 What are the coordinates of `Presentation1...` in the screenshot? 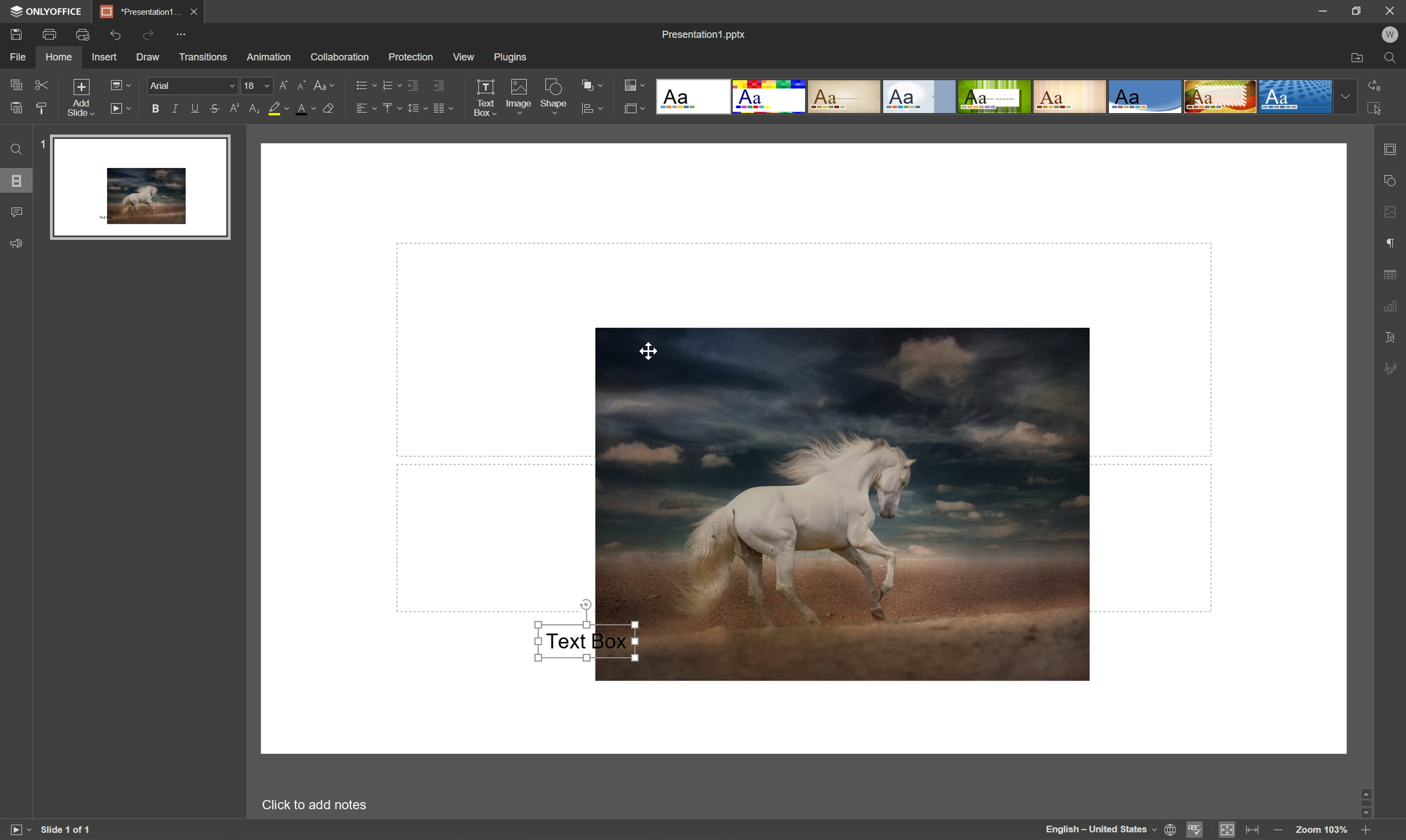 It's located at (138, 11).